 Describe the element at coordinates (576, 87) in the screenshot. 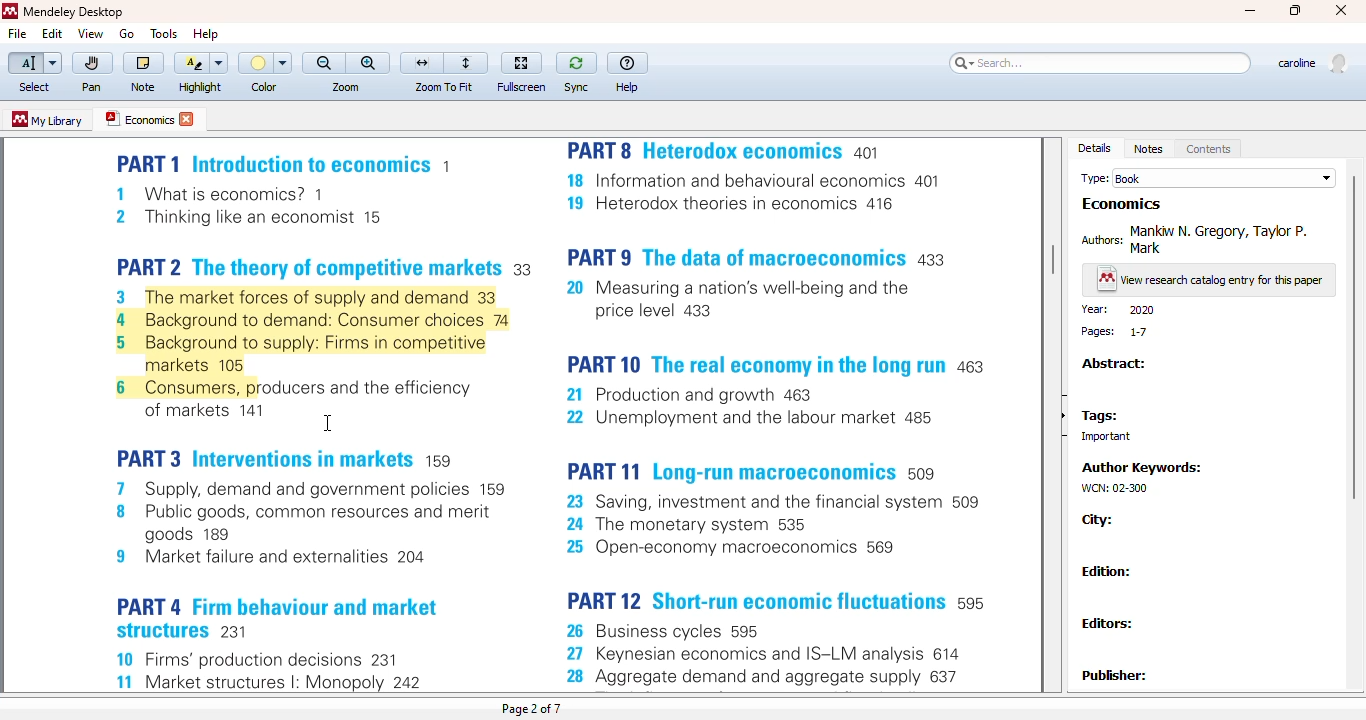

I see `sync` at that location.